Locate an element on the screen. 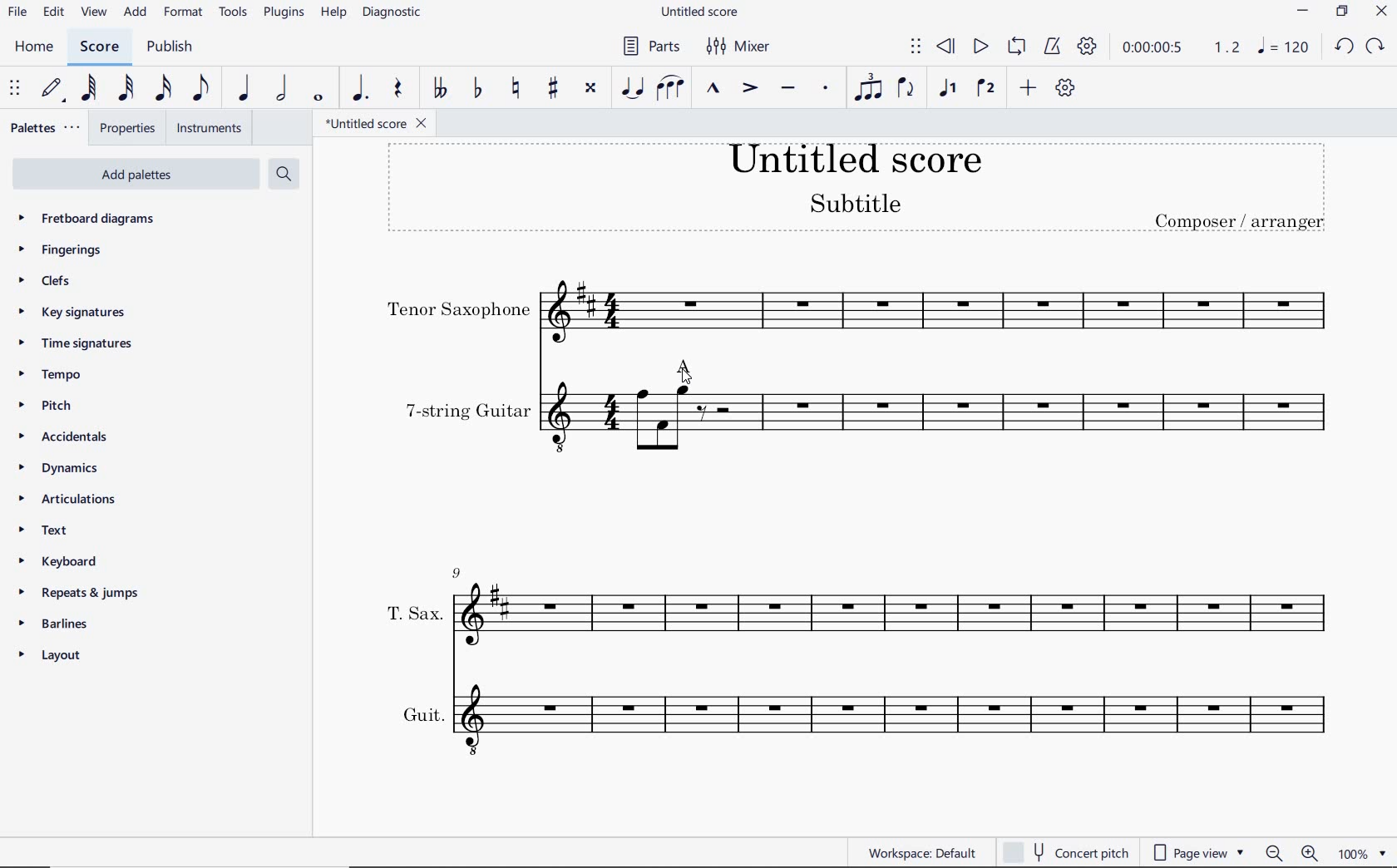 The height and width of the screenshot is (868, 1397). TENUTO is located at coordinates (789, 86).